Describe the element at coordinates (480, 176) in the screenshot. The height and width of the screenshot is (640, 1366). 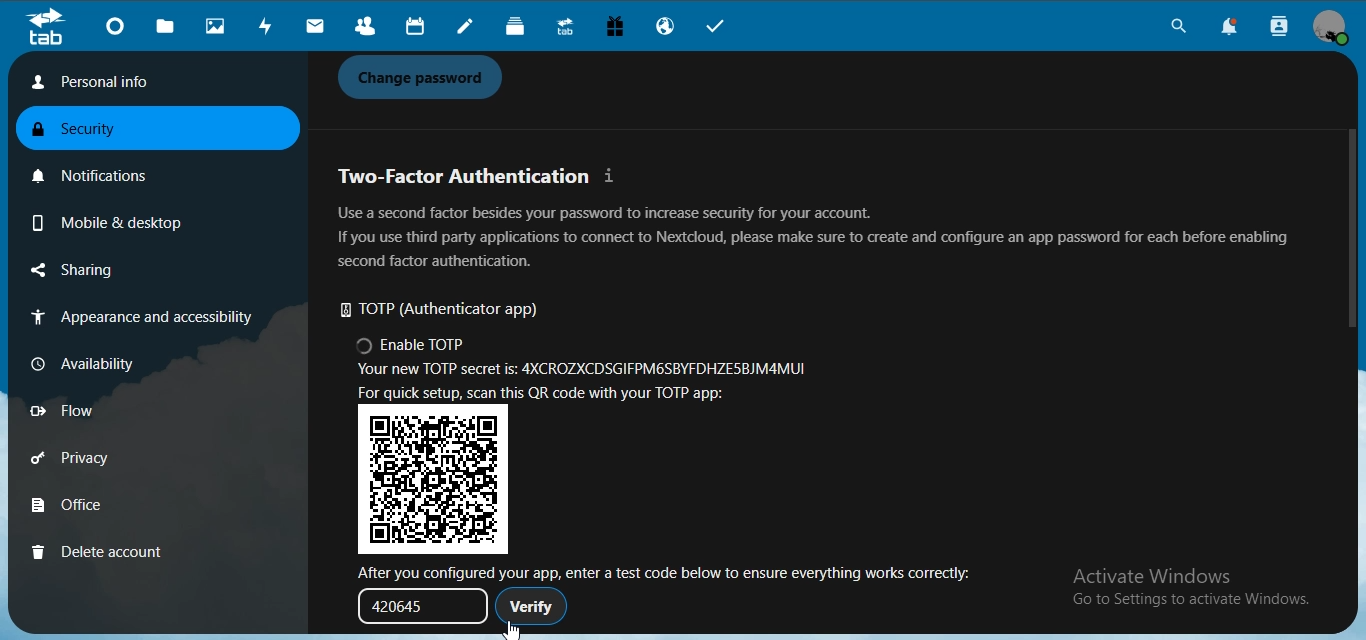
I see `two-factor authentication` at that location.